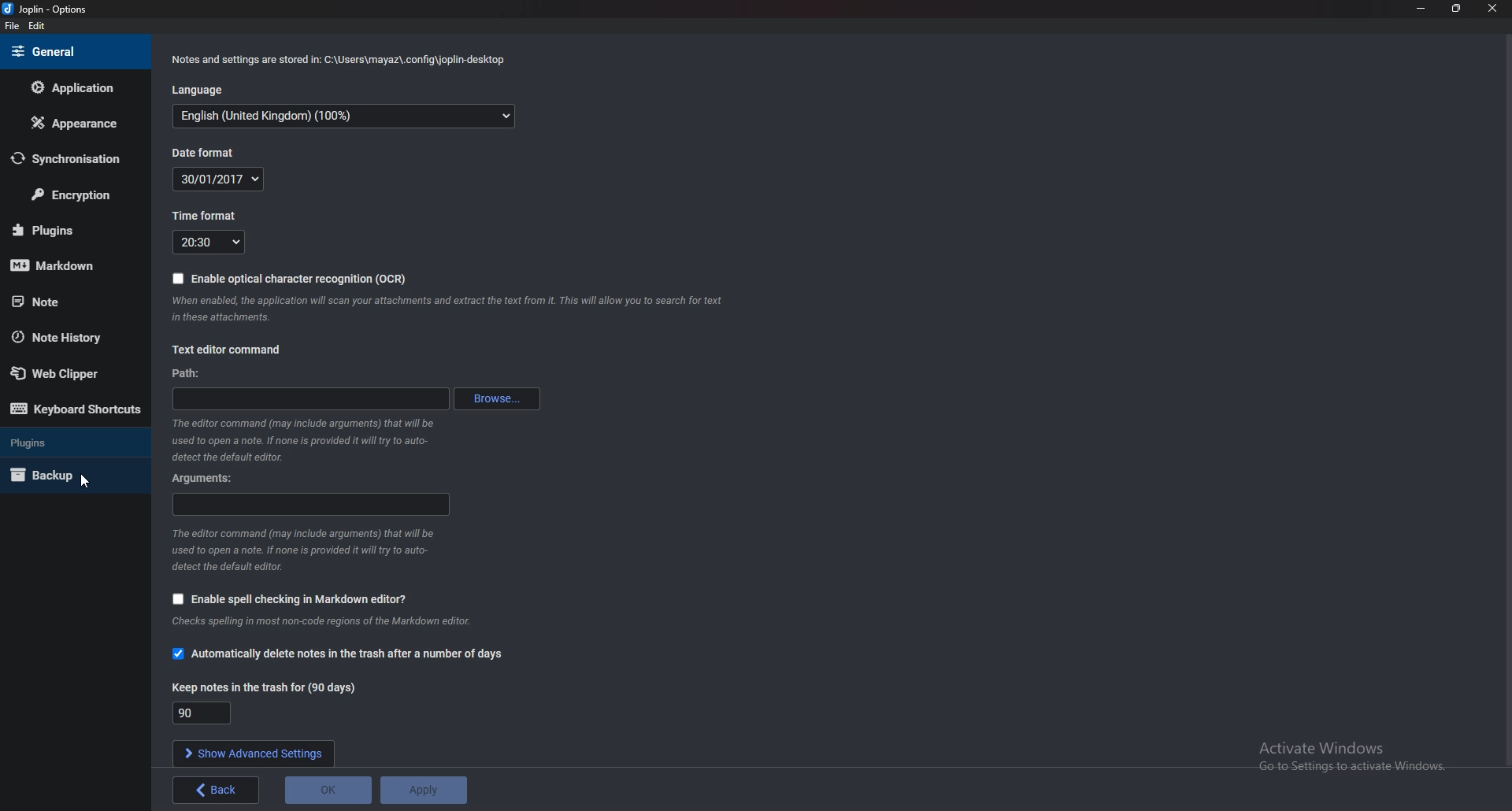 The height and width of the screenshot is (811, 1512). Describe the element at coordinates (341, 657) in the screenshot. I see `Automatically delete notes` at that location.